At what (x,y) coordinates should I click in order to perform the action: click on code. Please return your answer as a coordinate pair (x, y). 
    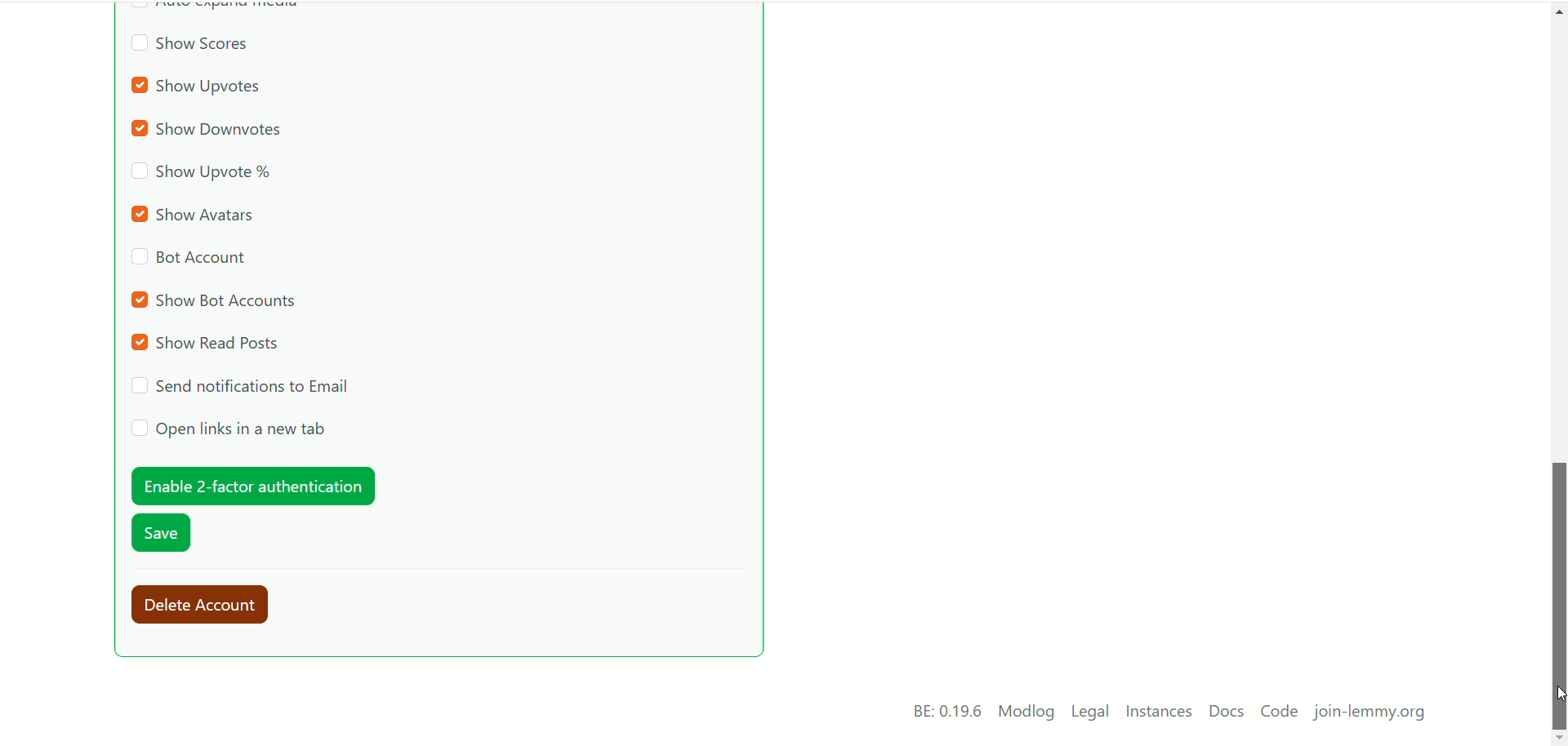
    Looking at the image, I should click on (1280, 713).